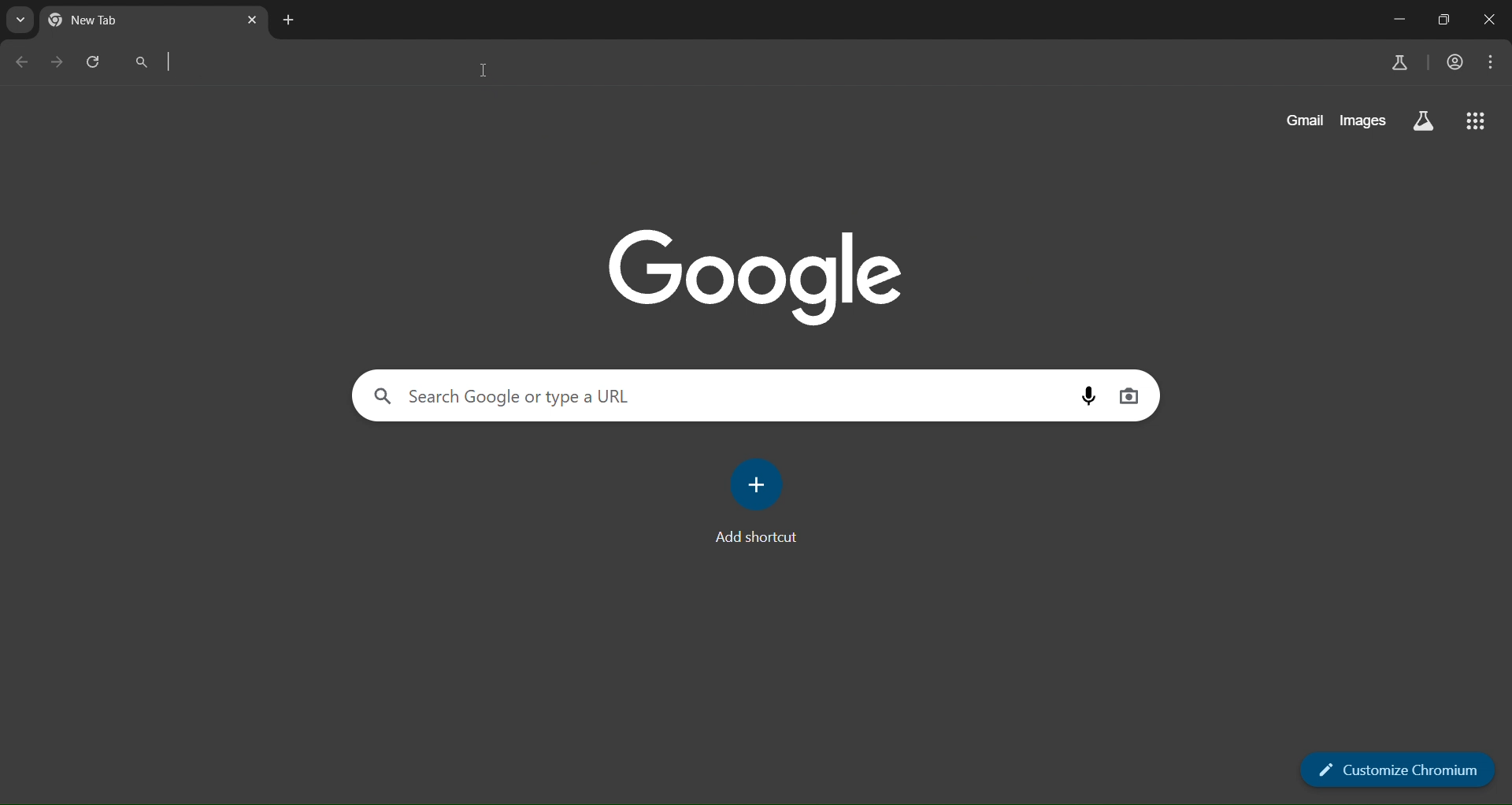 Image resolution: width=1512 pixels, height=805 pixels. What do you see at coordinates (1490, 20) in the screenshot?
I see `close` at bounding box center [1490, 20].